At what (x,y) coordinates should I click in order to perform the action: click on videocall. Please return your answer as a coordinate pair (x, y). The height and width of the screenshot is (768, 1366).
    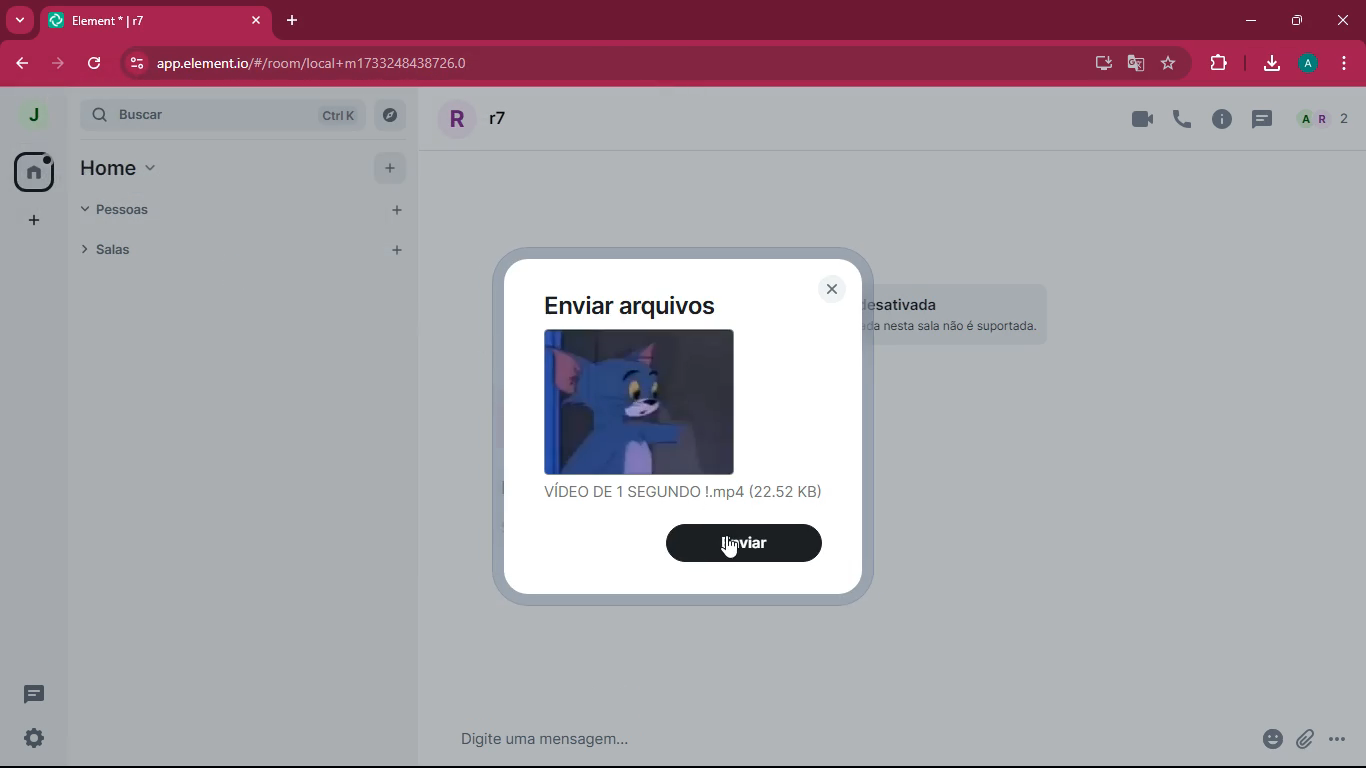
    Looking at the image, I should click on (1142, 118).